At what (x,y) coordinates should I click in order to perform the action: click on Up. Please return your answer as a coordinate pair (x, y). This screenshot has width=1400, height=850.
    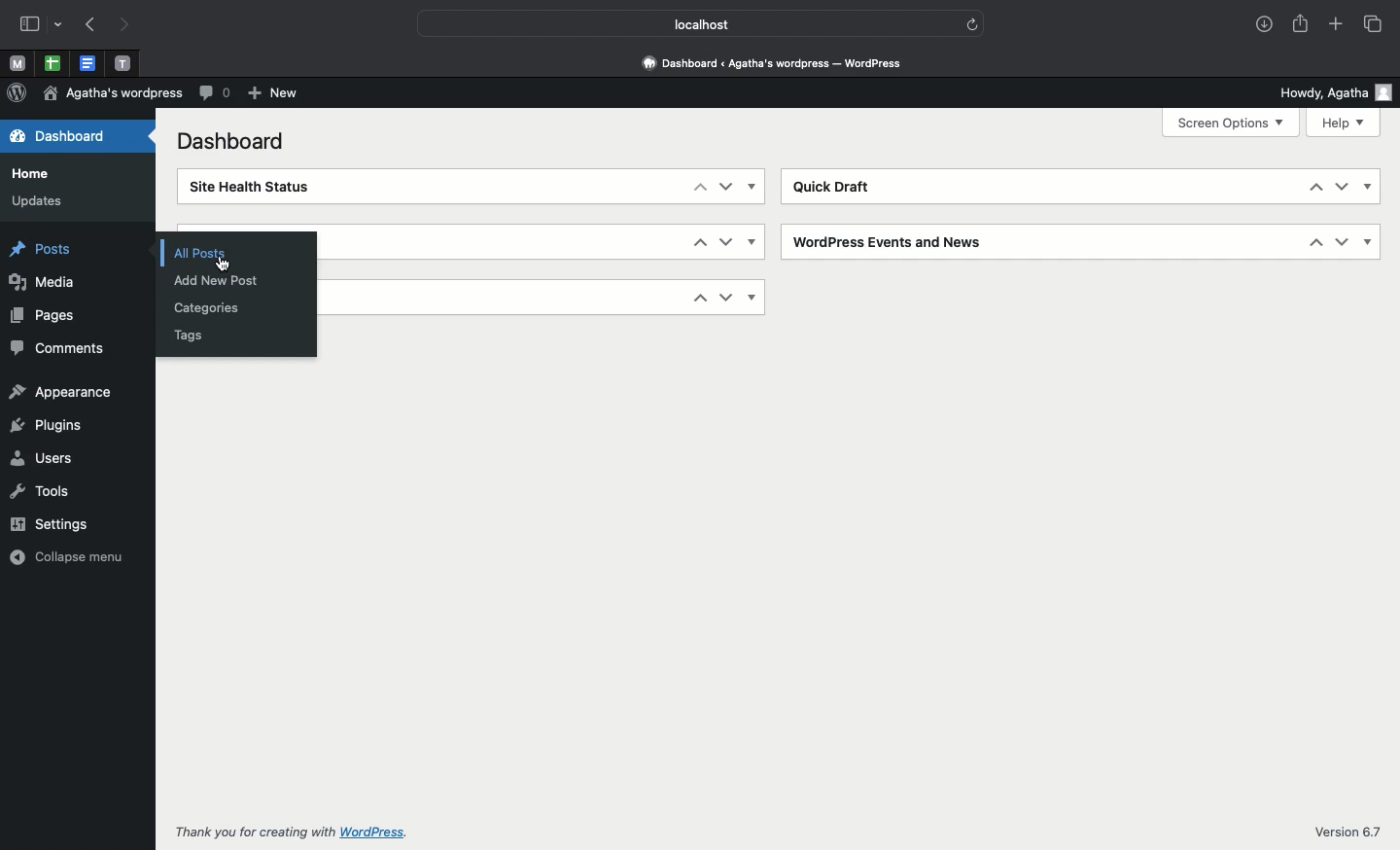
    Looking at the image, I should click on (1306, 190).